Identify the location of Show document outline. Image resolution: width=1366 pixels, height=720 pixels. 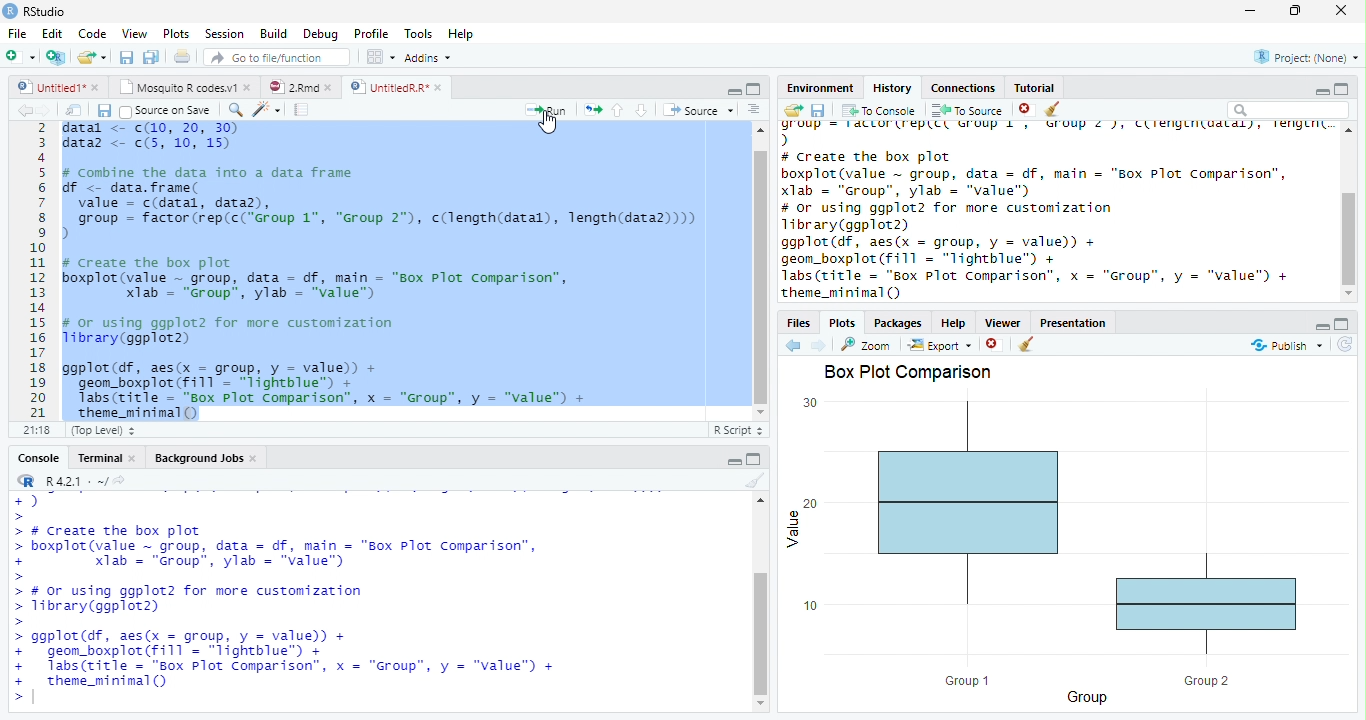
(754, 109).